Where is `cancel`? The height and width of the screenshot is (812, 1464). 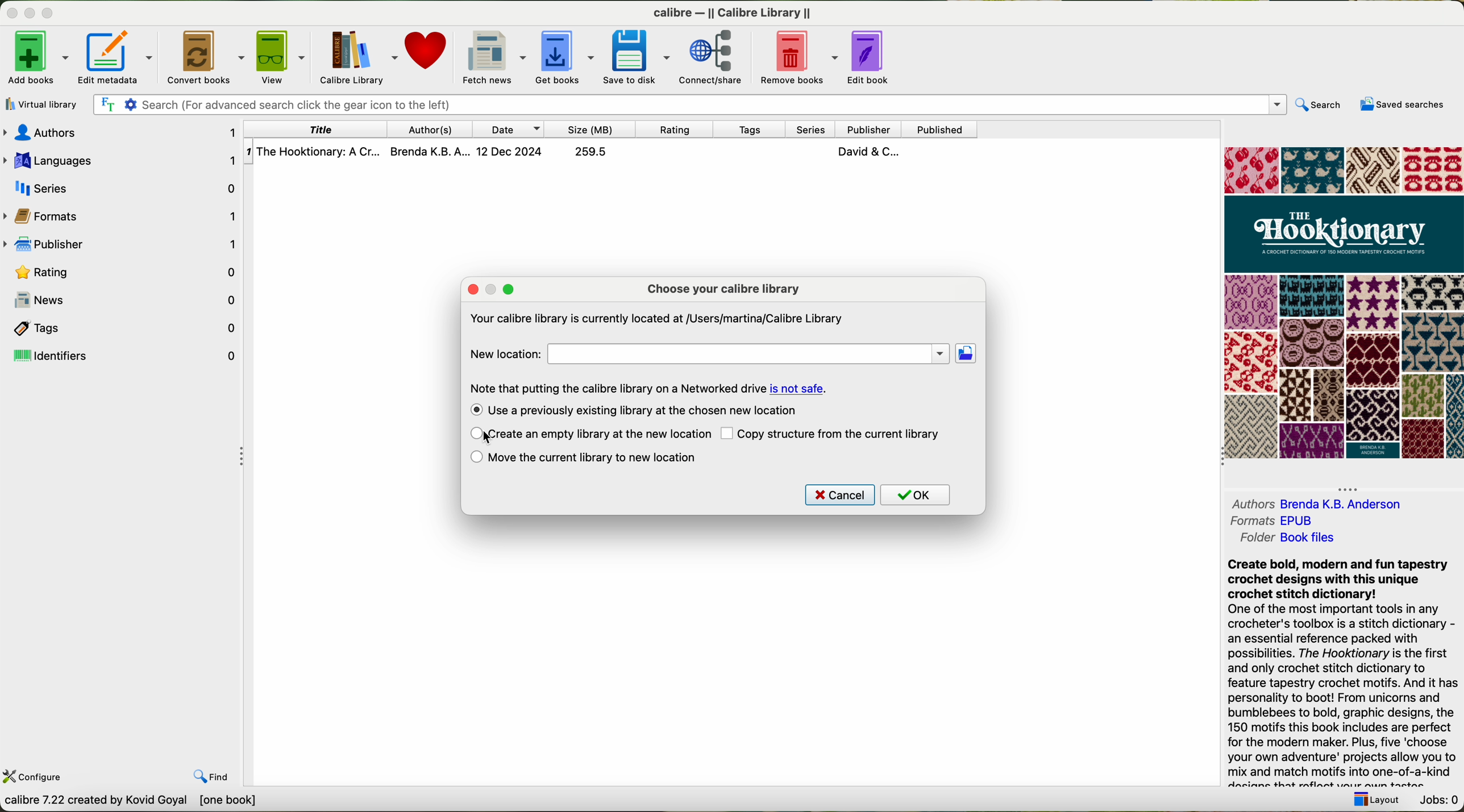
cancel is located at coordinates (840, 494).